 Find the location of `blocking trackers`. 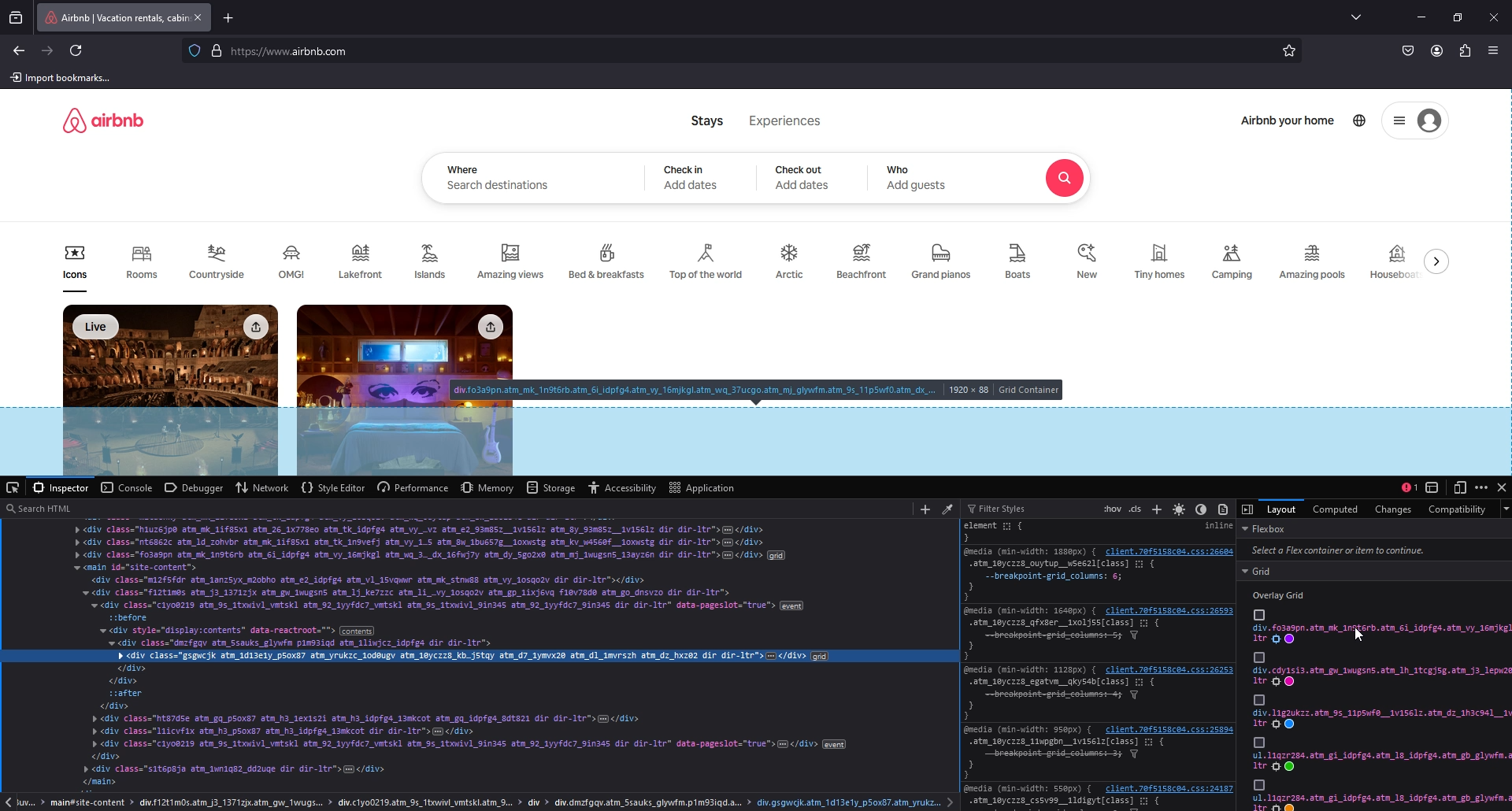

blocking trackers is located at coordinates (194, 50).